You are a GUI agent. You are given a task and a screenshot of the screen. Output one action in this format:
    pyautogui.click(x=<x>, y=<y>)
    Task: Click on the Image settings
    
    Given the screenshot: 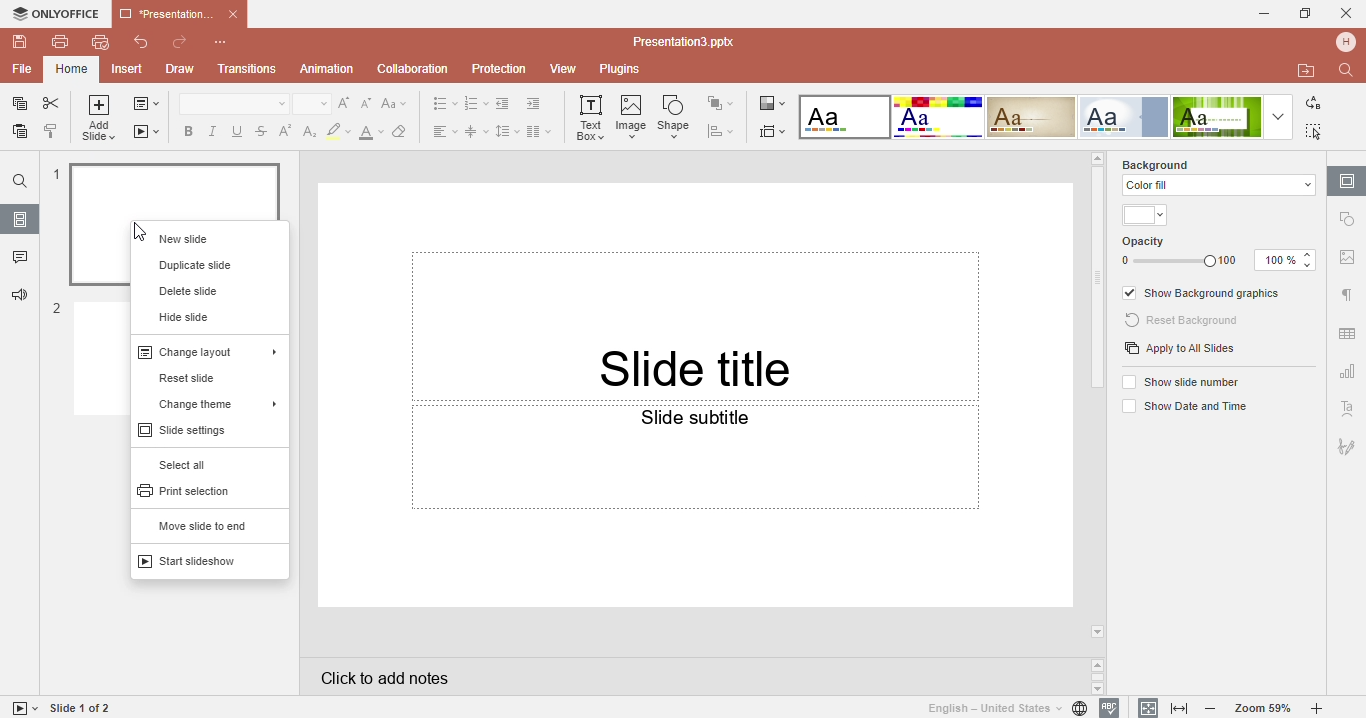 What is the action you would take?
    pyautogui.click(x=1347, y=261)
    